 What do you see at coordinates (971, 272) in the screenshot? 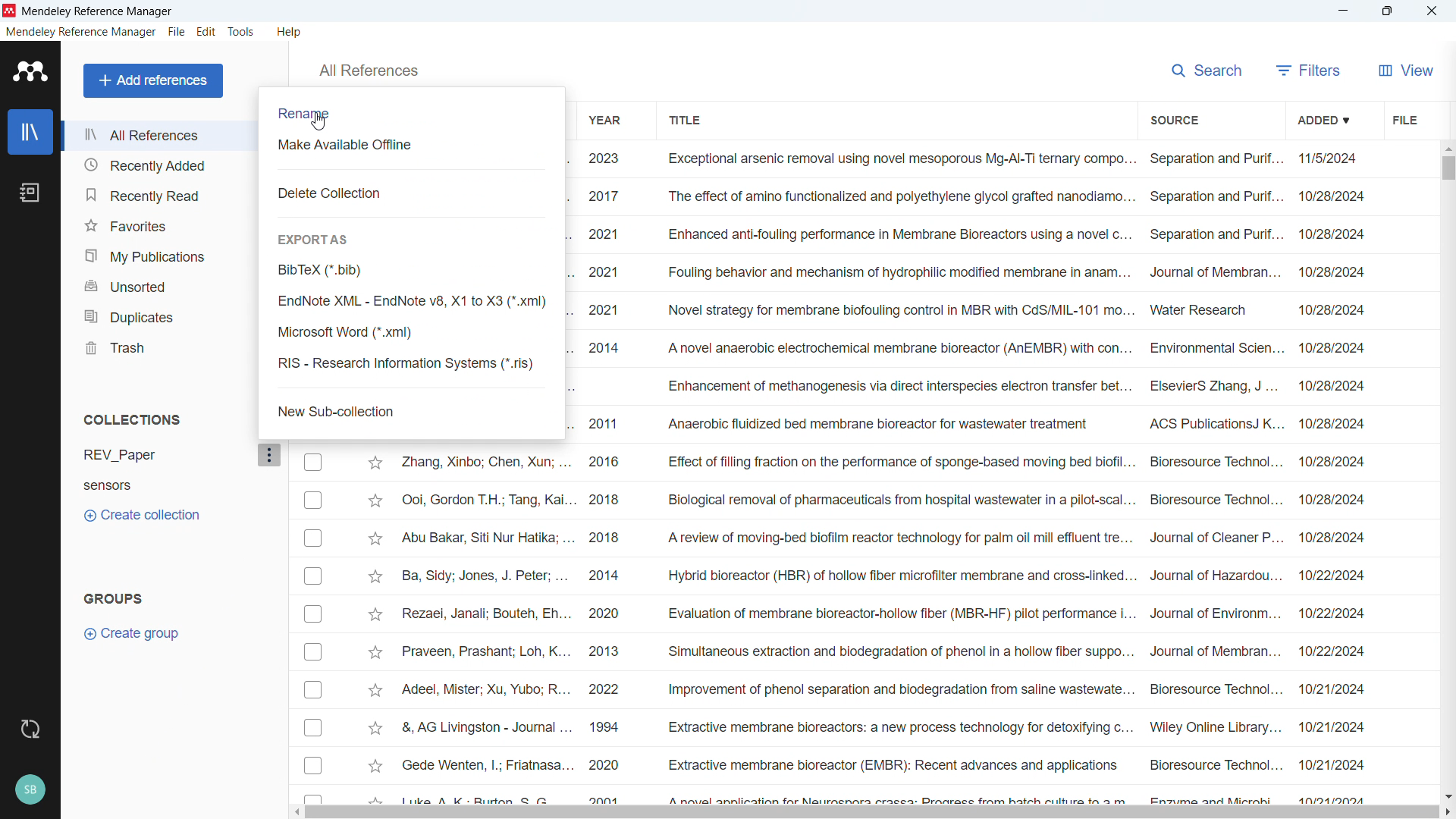
I see `Ni, Lingfeng; Shi, Qin; Wu, ... 2021 Fouling behavior and mechanism of hydrophilic modified membrane in anam... Journal of Membran... 10/28/2024` at bounding box center [971, 272].